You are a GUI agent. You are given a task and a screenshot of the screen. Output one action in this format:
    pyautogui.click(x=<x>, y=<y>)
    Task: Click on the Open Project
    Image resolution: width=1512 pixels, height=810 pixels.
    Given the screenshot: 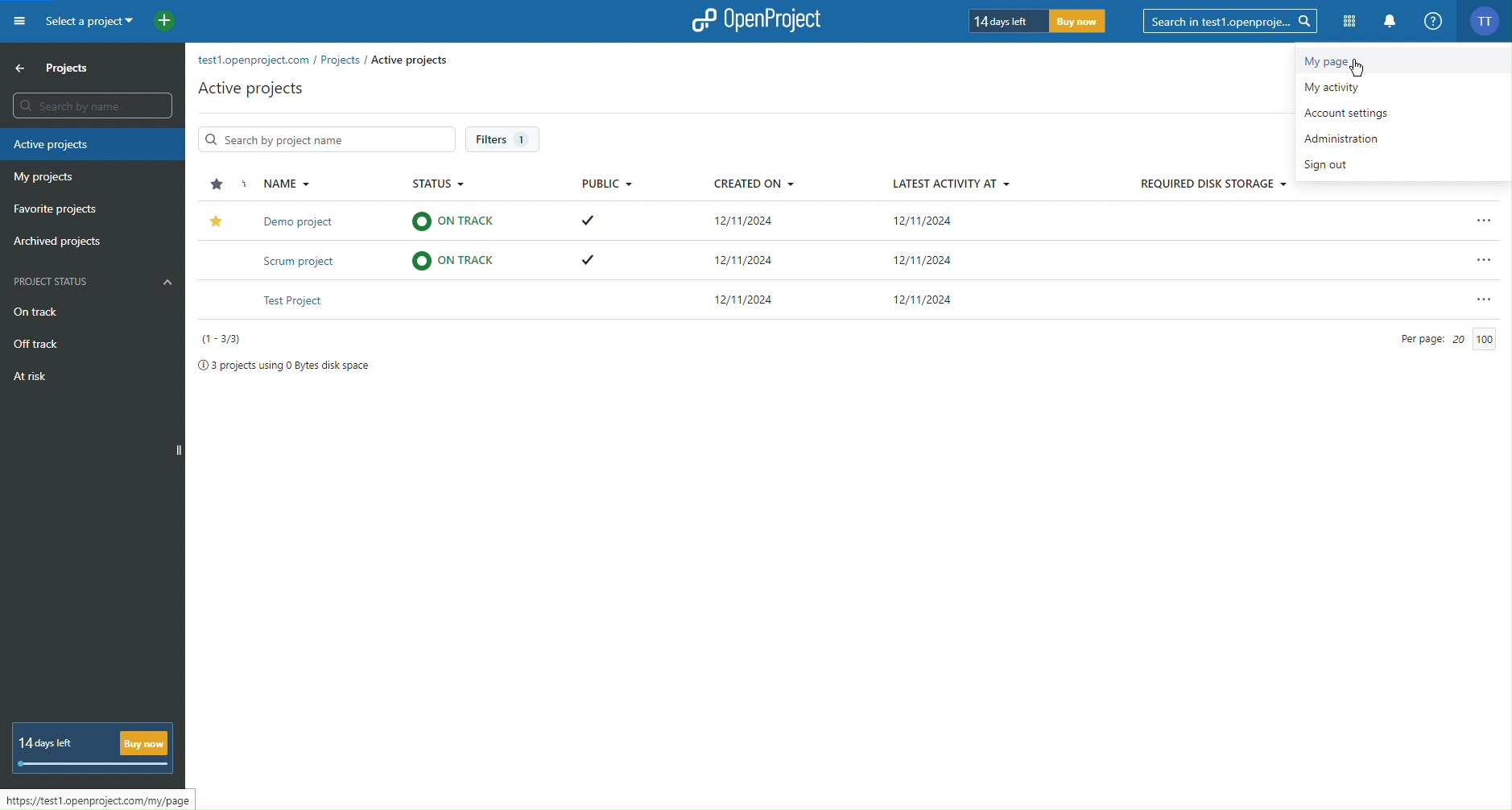 What is the action you would take?
    pyautogui.click(x=758, y=22)
    